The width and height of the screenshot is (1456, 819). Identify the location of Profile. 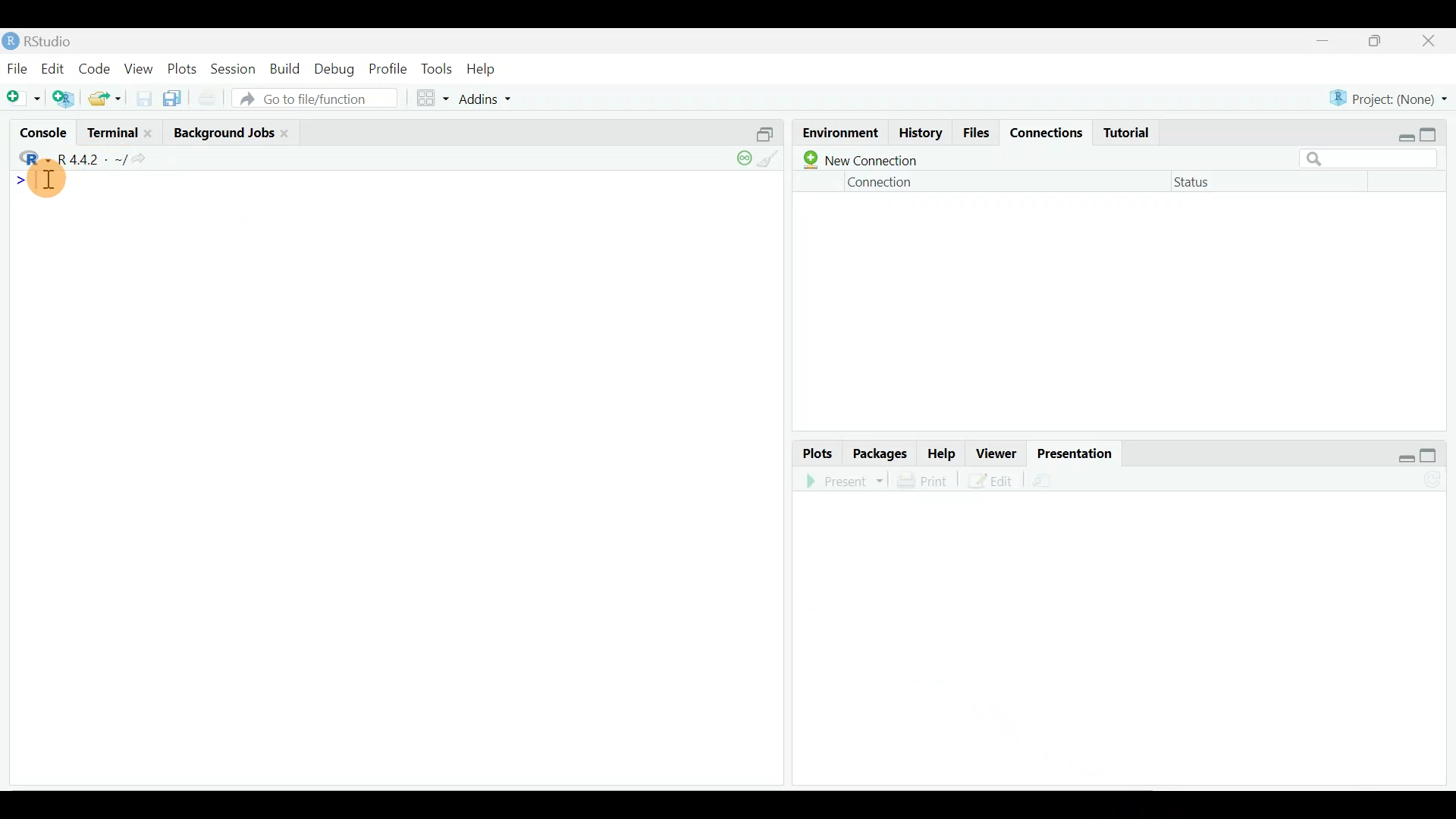
(388, 67).